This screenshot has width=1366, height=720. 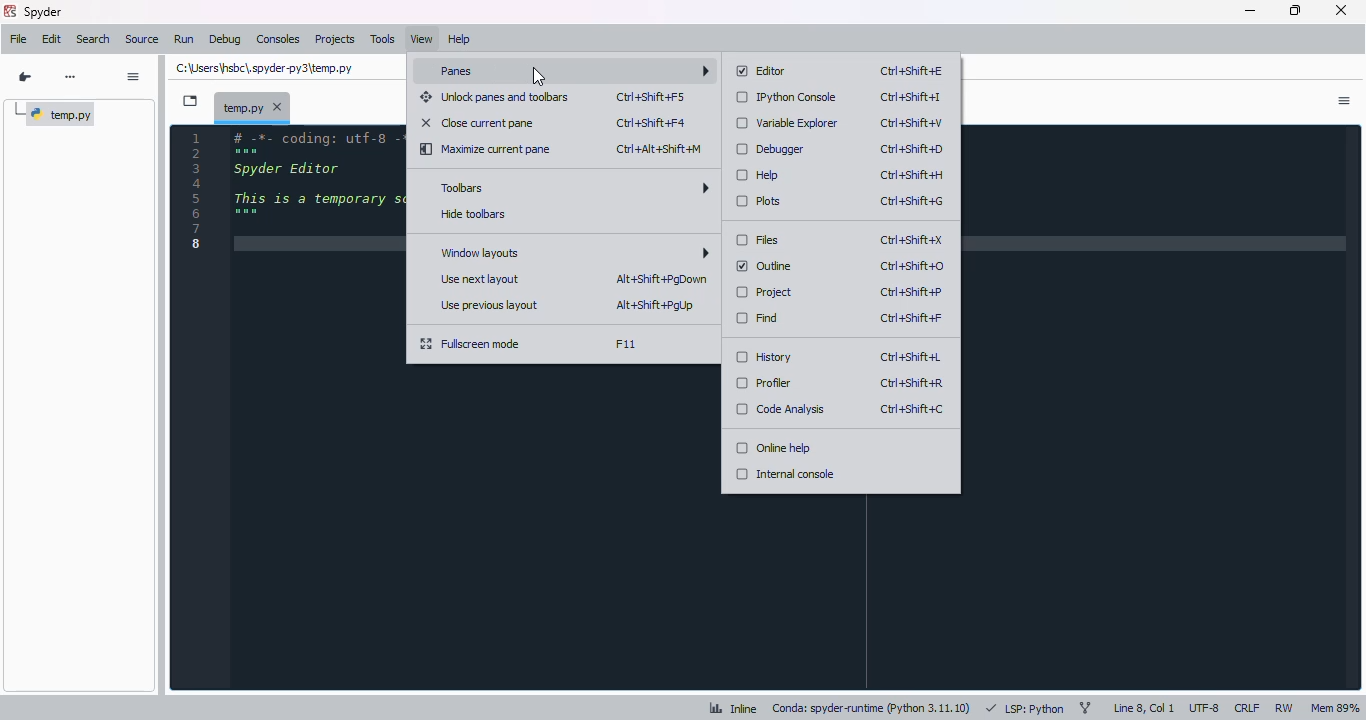 What do you see at coordinates (651, 123) in the screenshot?
I see `shortcut for close current pane` at bounding box center [651, 123].